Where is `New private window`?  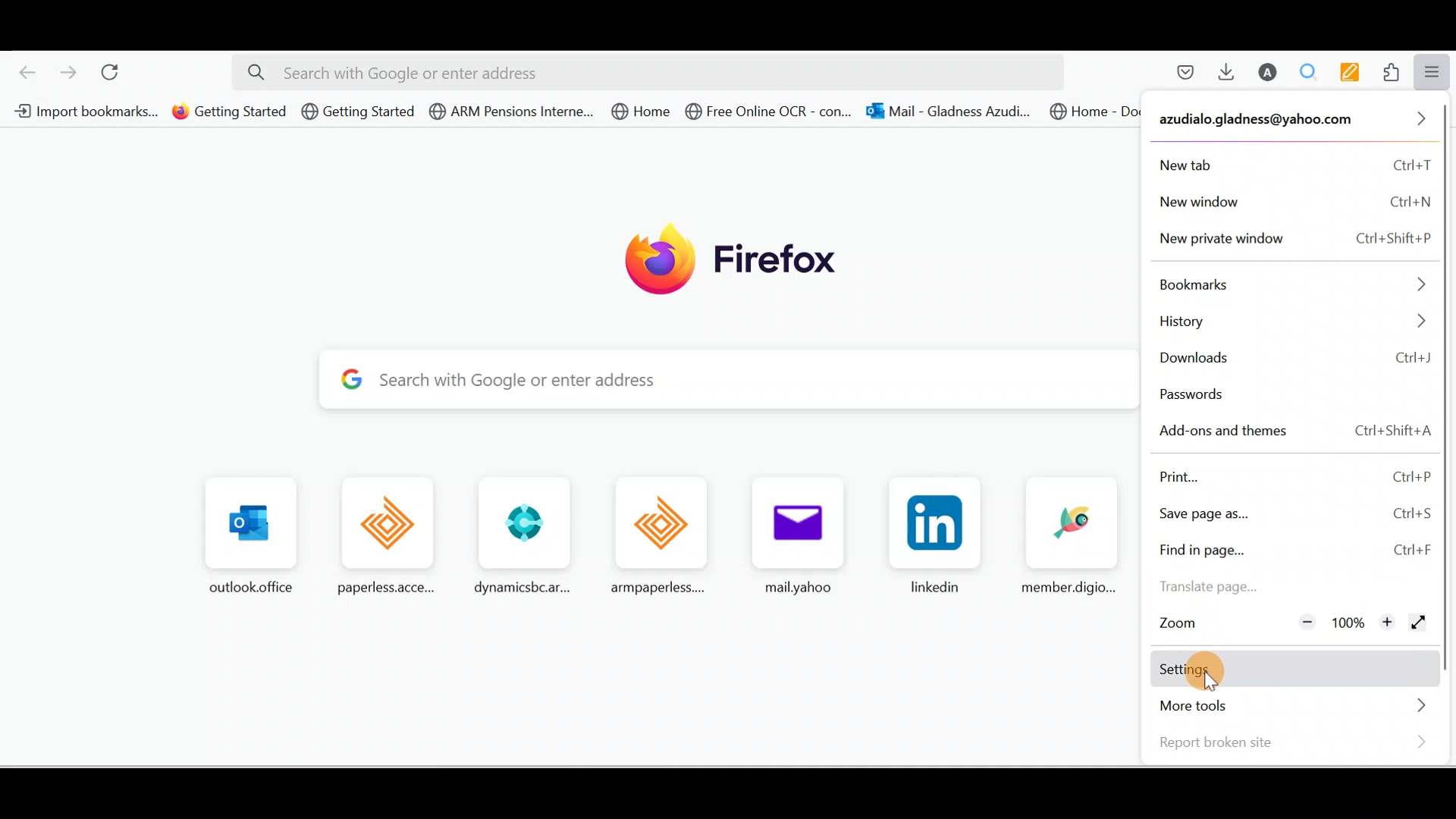
New private window is located at coordinates (1294, 237).